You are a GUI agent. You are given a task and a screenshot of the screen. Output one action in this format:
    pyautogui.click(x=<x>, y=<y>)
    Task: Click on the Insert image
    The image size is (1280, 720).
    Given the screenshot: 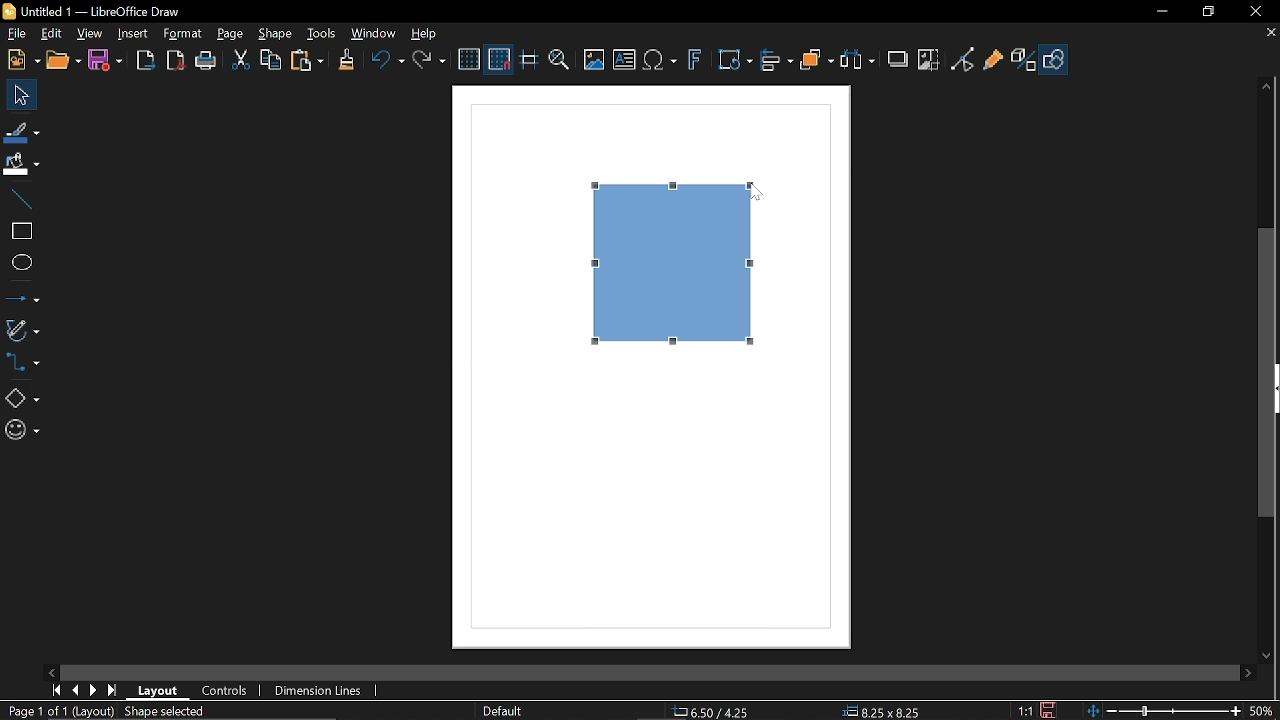 What is the action you would take?
    pyautogui.click(x=592, y=60)
    